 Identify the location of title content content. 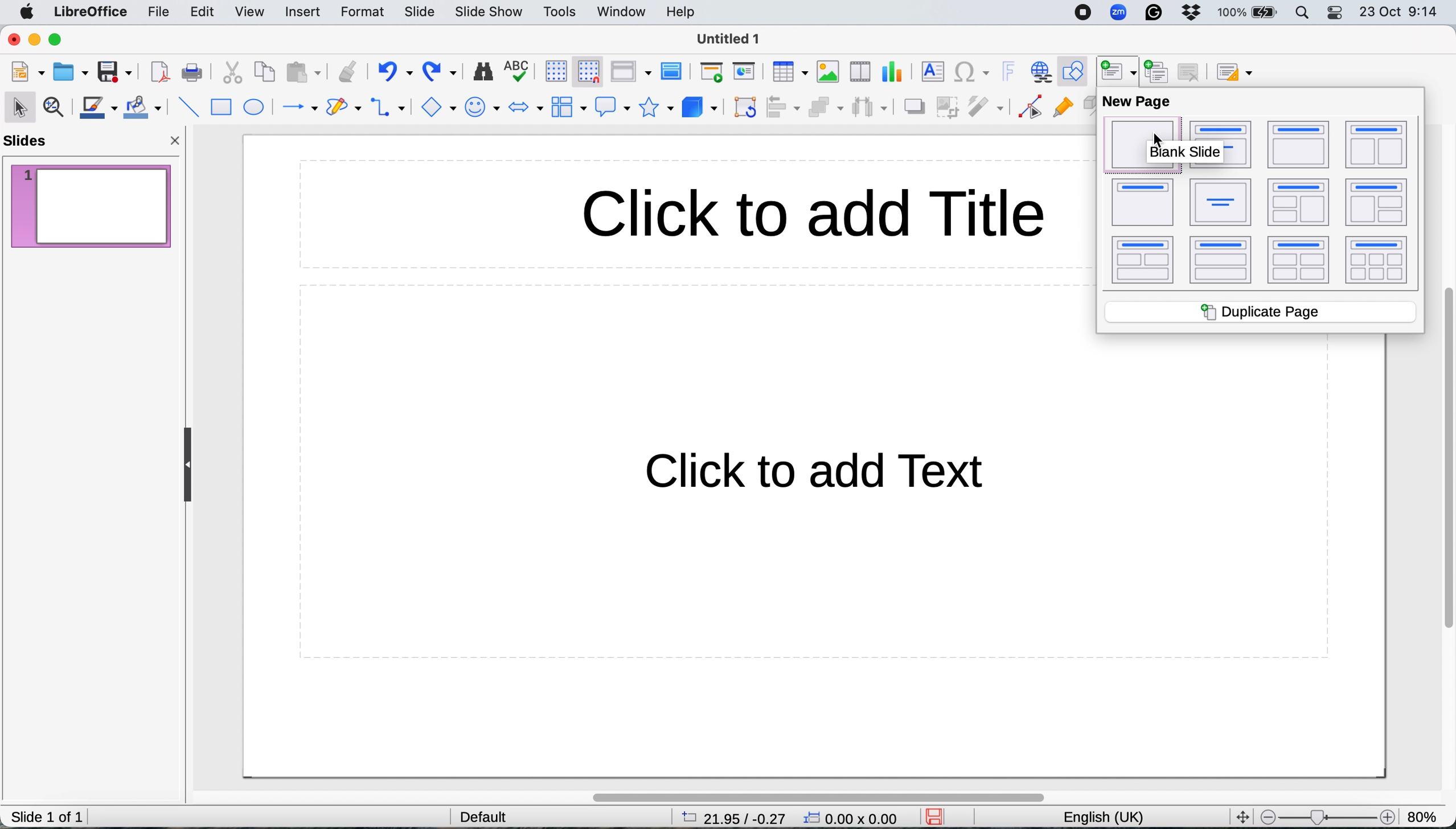
(1375, 146).